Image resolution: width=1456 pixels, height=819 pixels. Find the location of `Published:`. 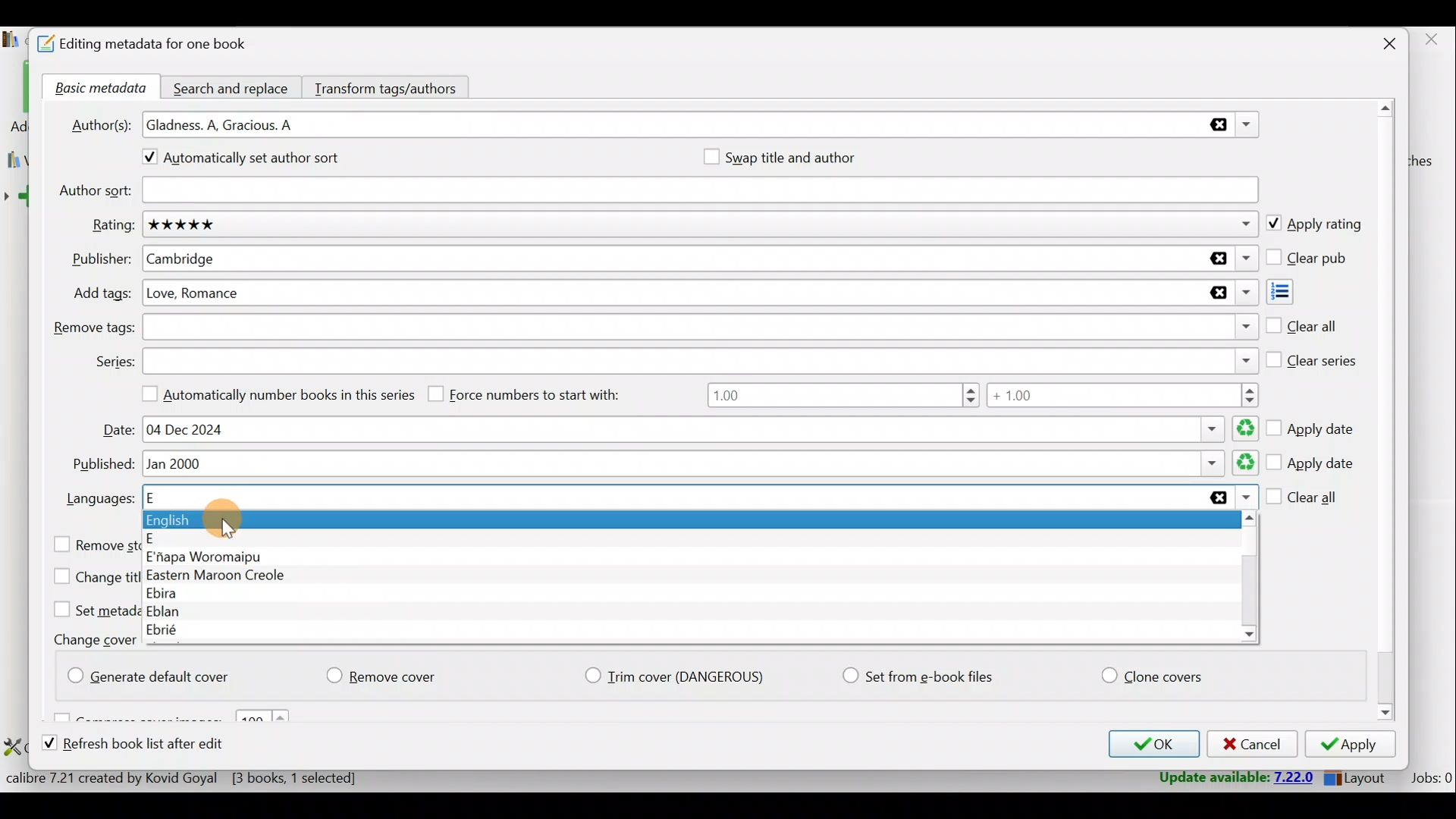

Published: is located at coordinates (100, 465).